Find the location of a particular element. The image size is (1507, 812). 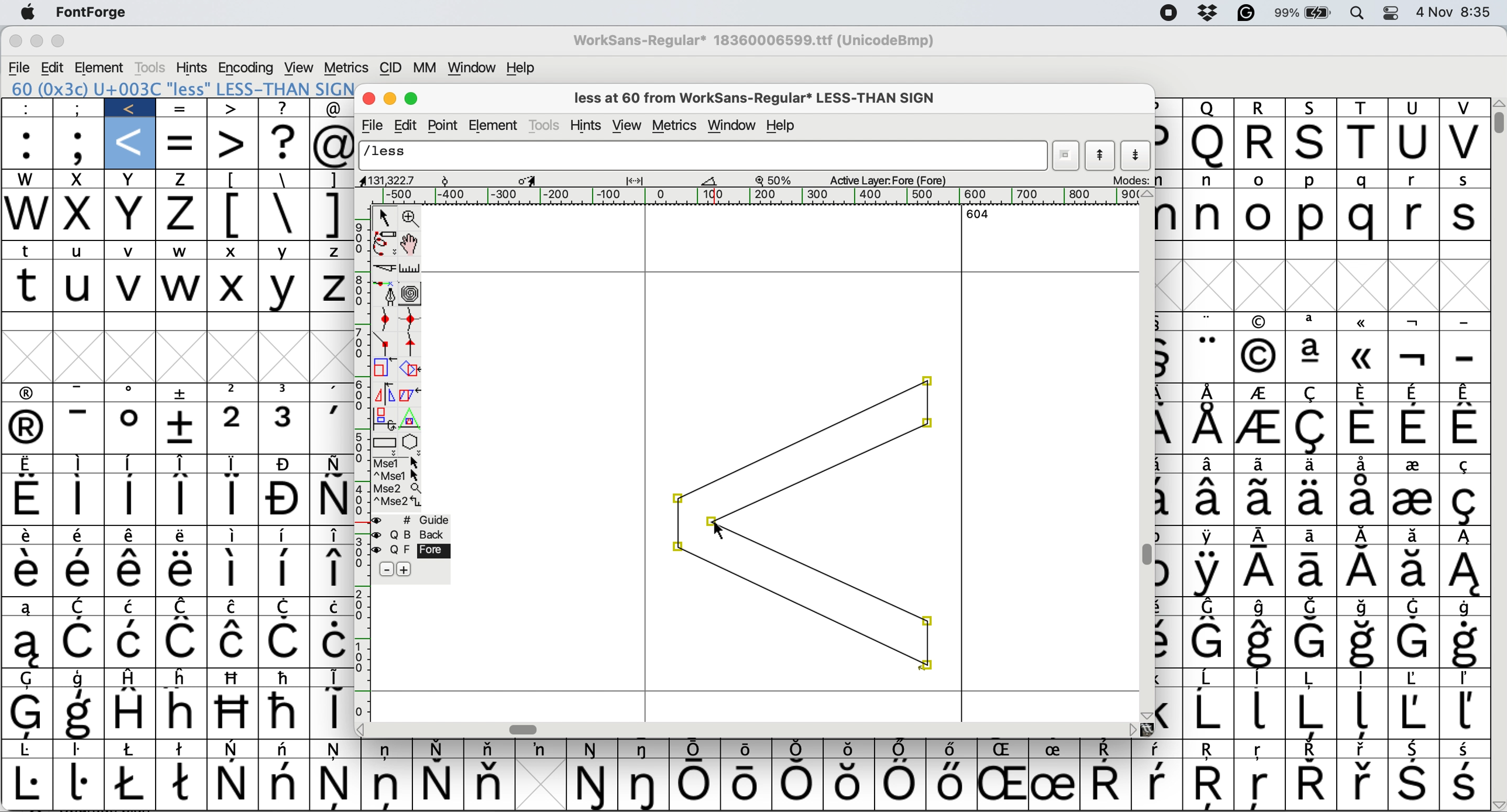

Symbol is located at coordinates (32, 572).